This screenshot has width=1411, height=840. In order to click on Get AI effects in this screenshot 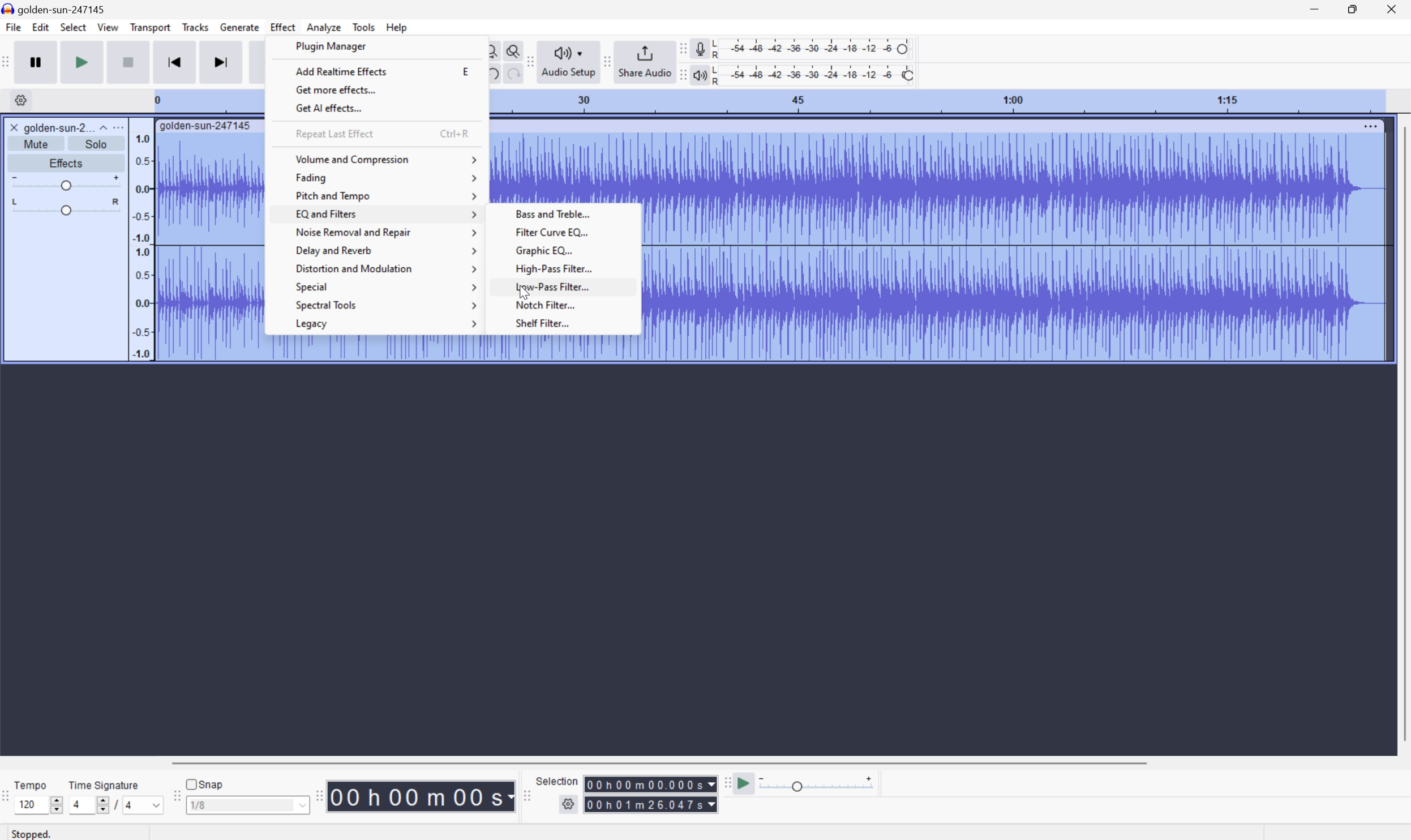, I will do `click(330, 109)`.